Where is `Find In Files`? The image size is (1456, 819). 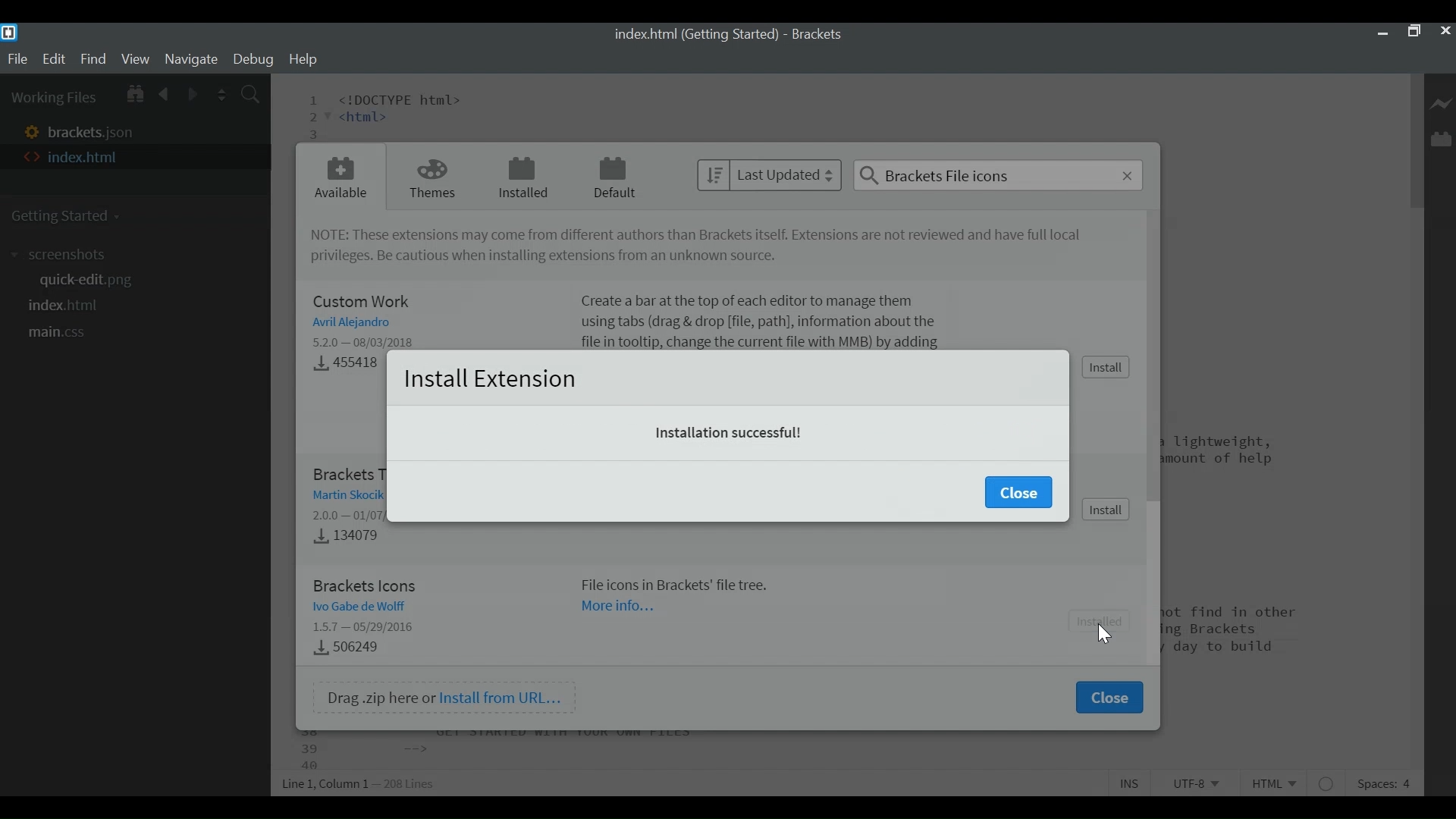 Find In Files is located at coordinates (252, 93).